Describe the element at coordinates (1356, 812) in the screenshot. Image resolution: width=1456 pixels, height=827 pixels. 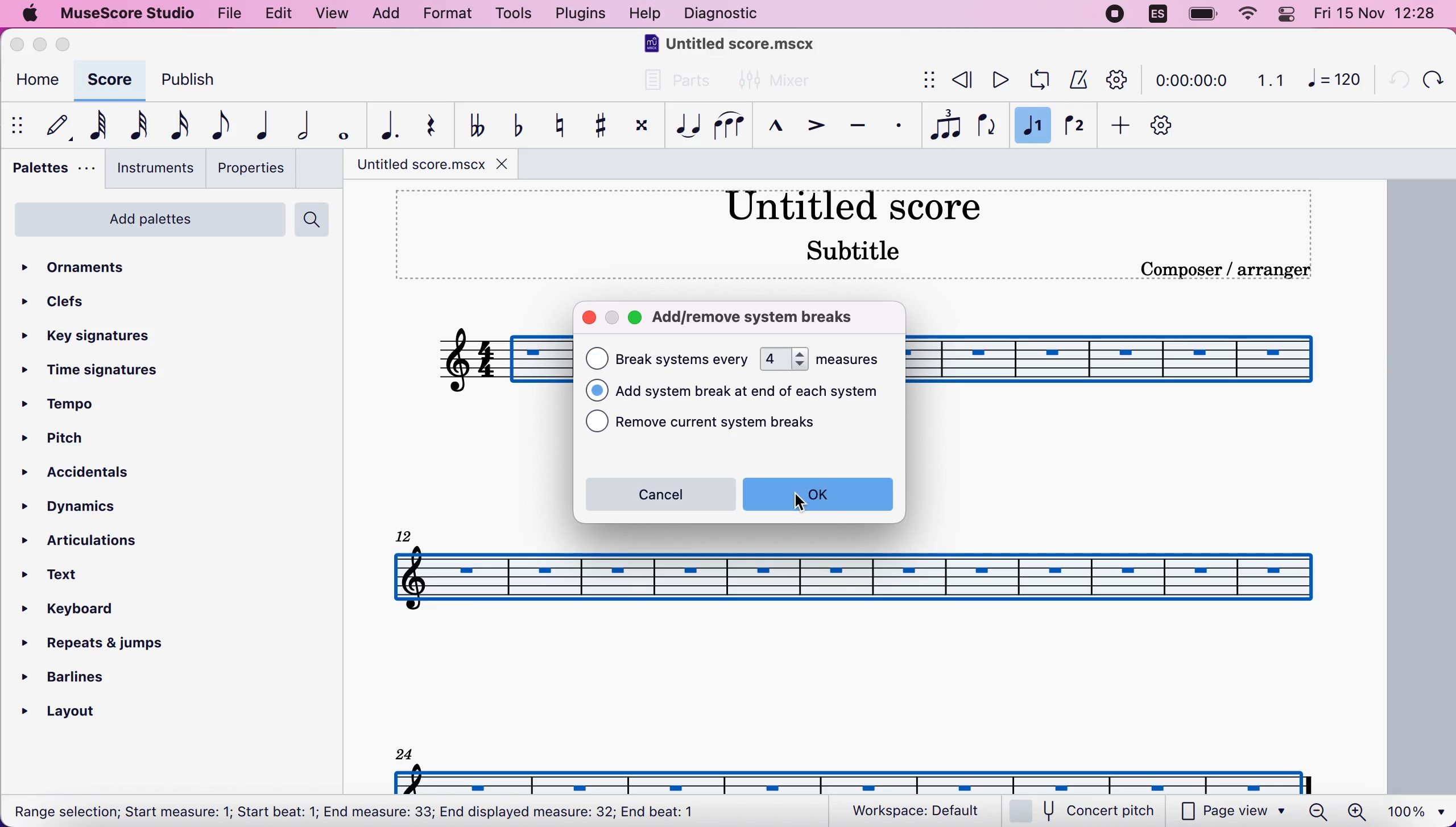
I see `zoom in` at that location.